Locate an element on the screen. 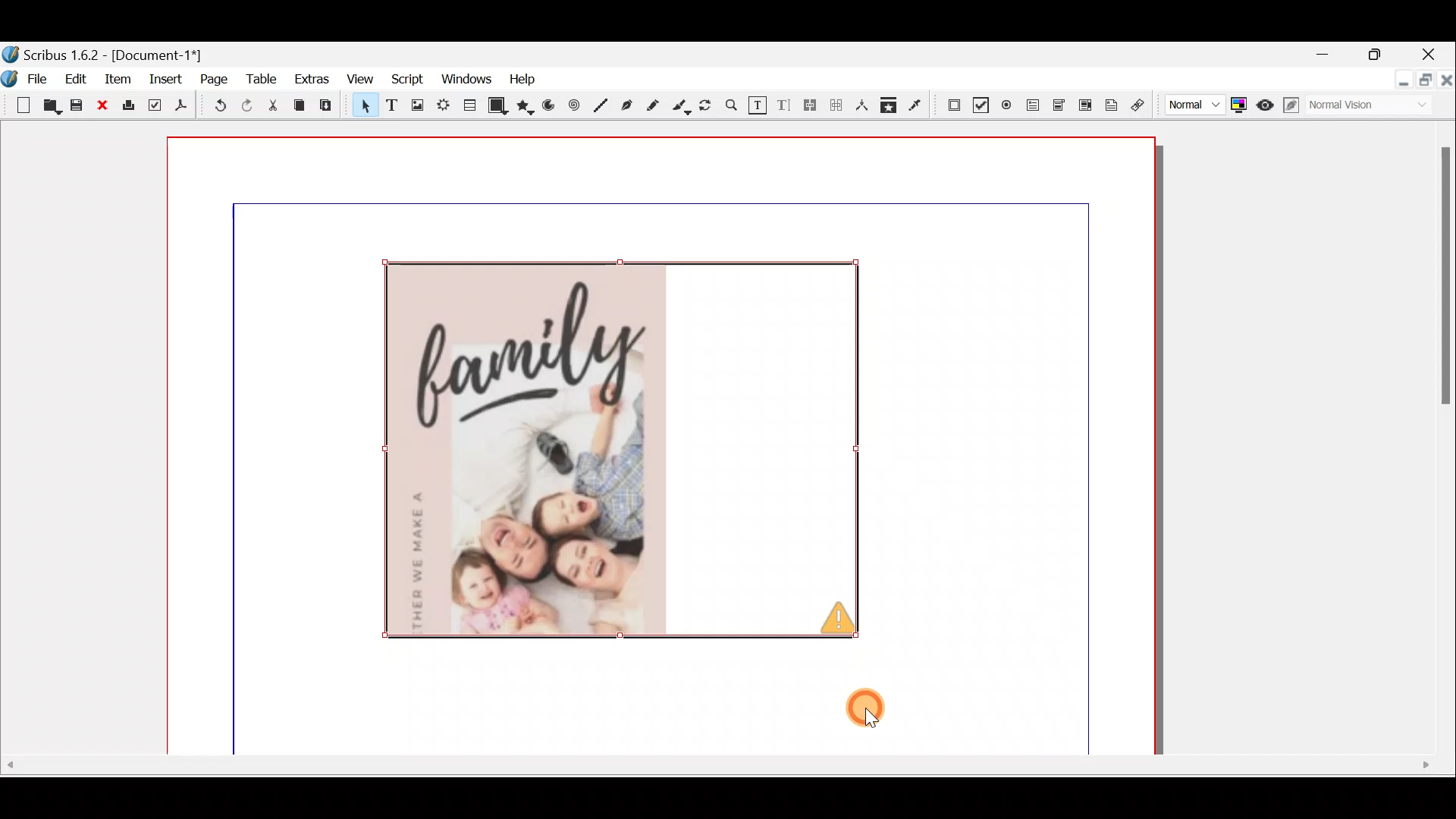 Image resolution: width=1456 pixels, height=819 pixels. Canvas is located at coordinates (665, 446).